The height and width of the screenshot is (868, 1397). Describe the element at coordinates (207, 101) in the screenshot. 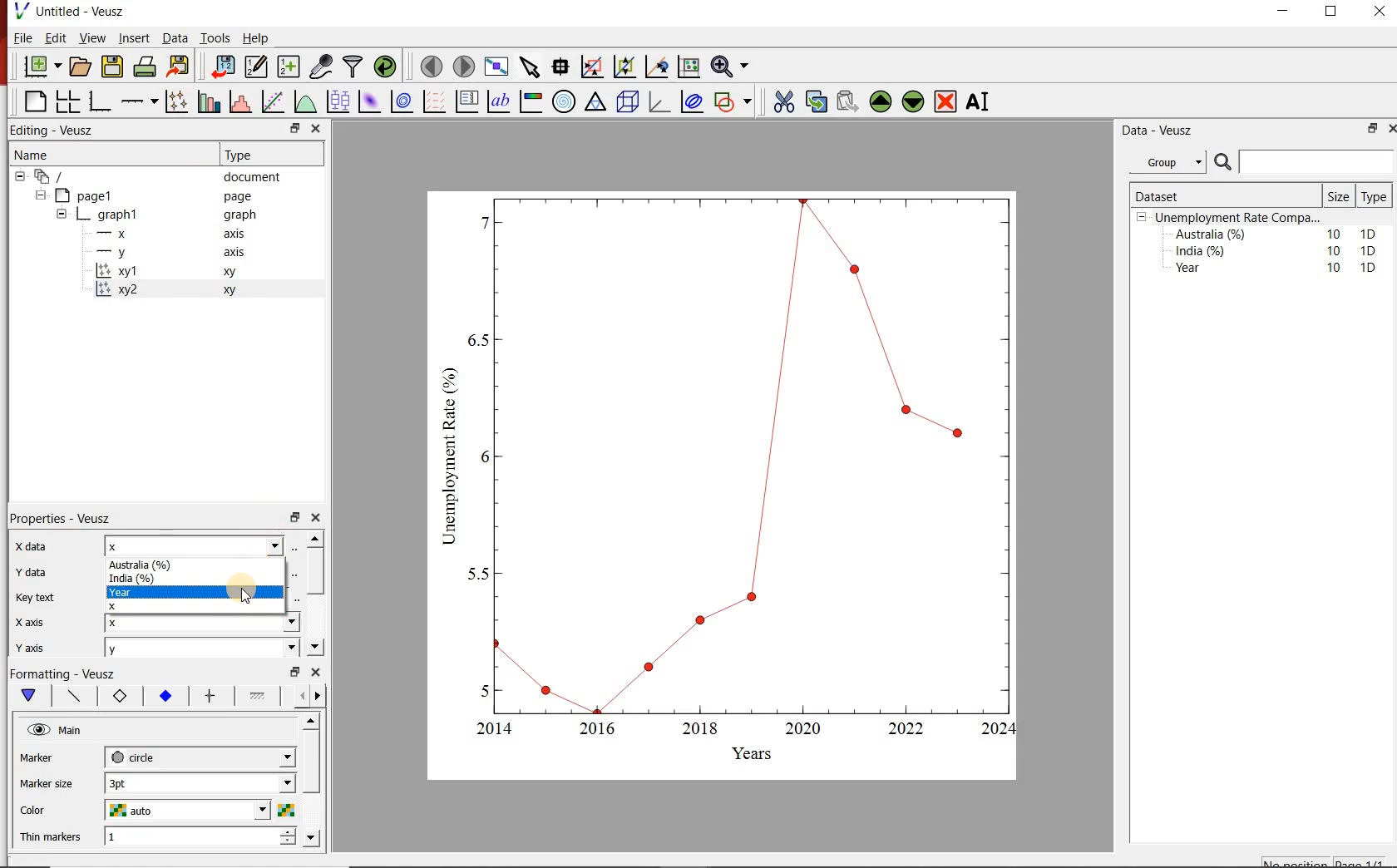

I see `bar graphs` at that location.